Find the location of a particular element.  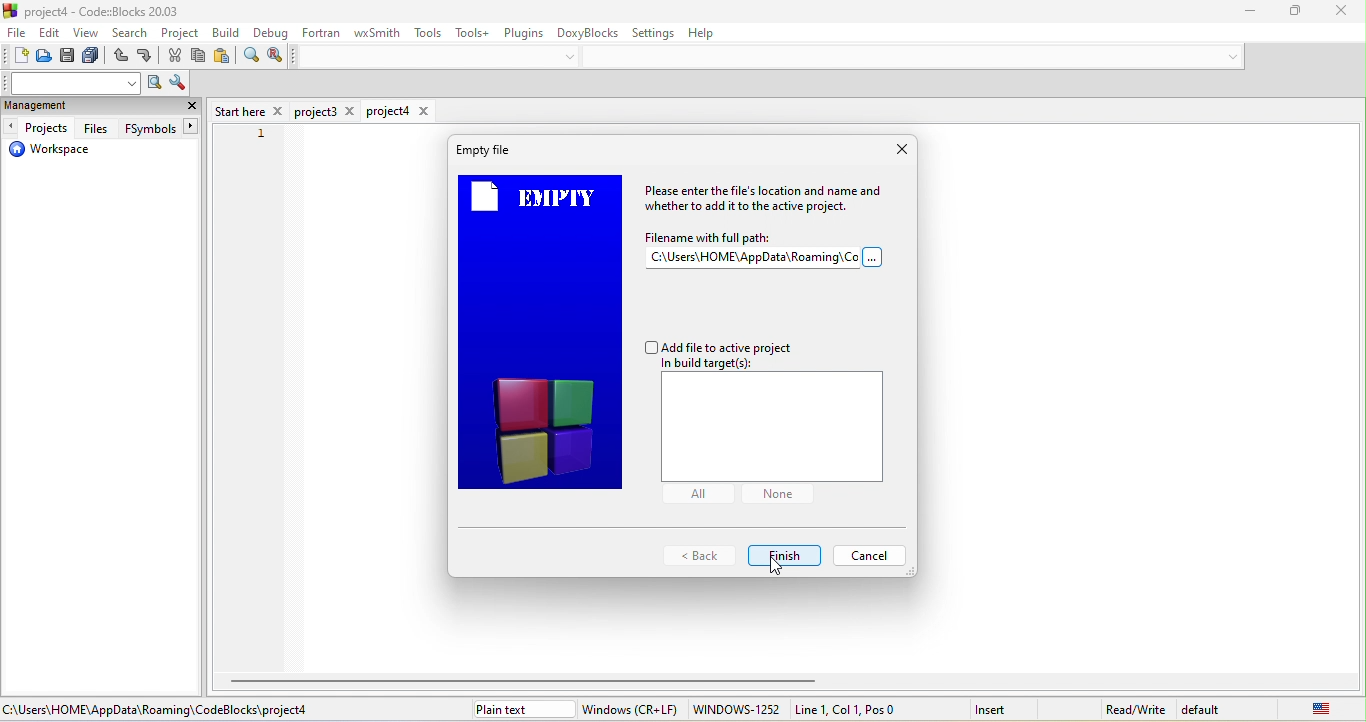

Box is located at coordinates (772, 428).